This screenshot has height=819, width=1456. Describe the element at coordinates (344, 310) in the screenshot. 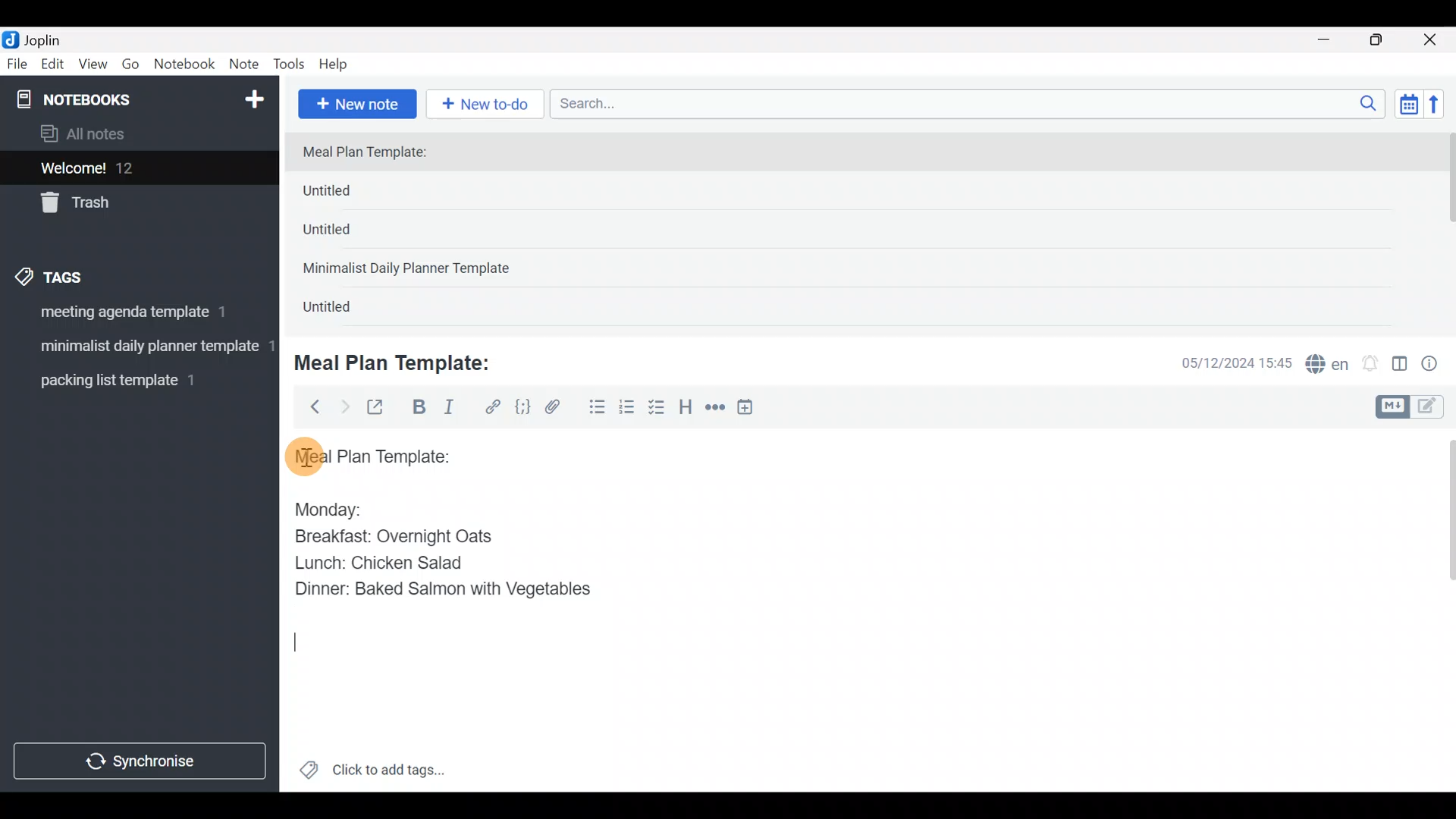

I see `Untitled` at that location.